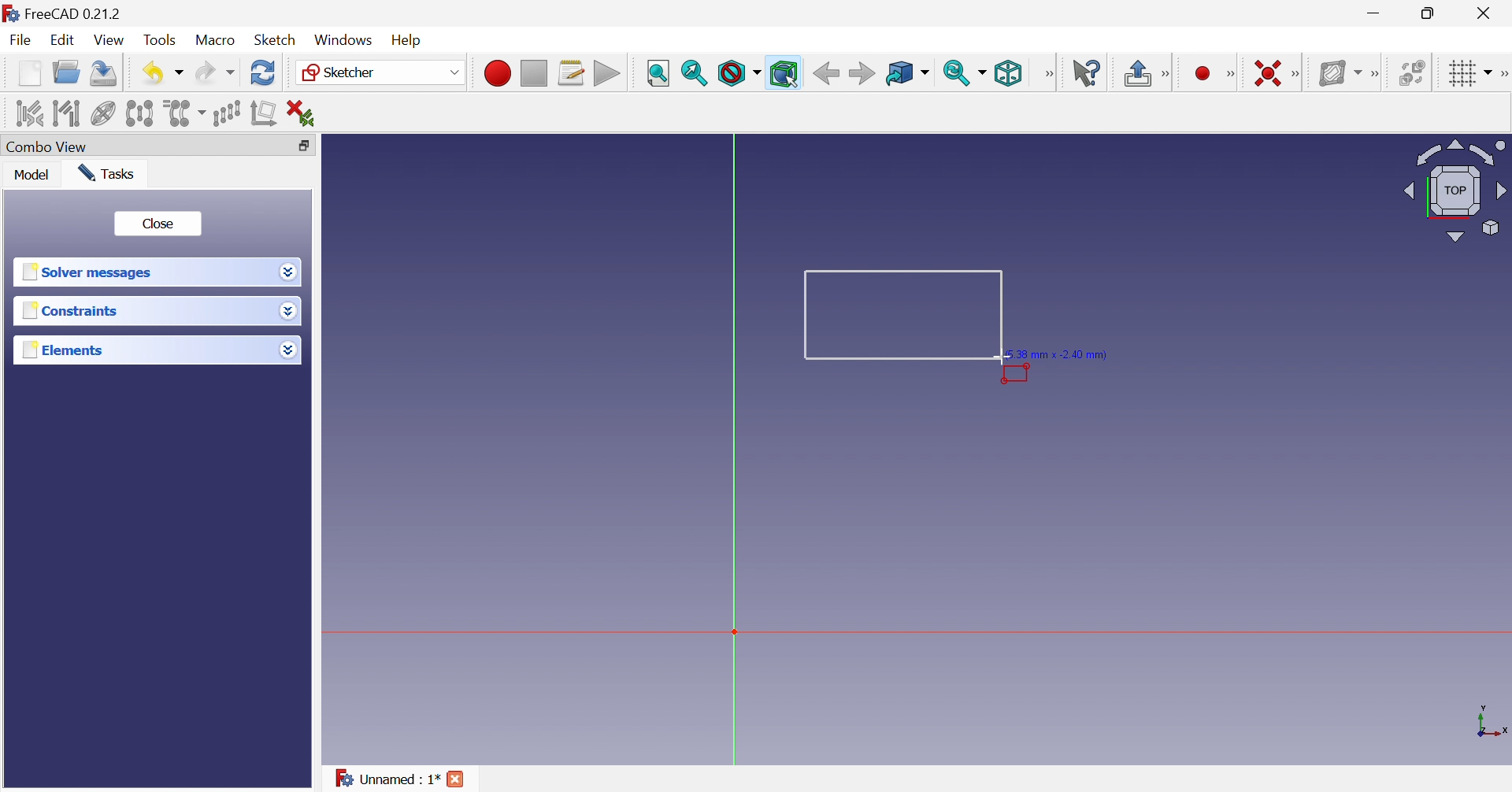  I want to click on logo, so click(10, 13).